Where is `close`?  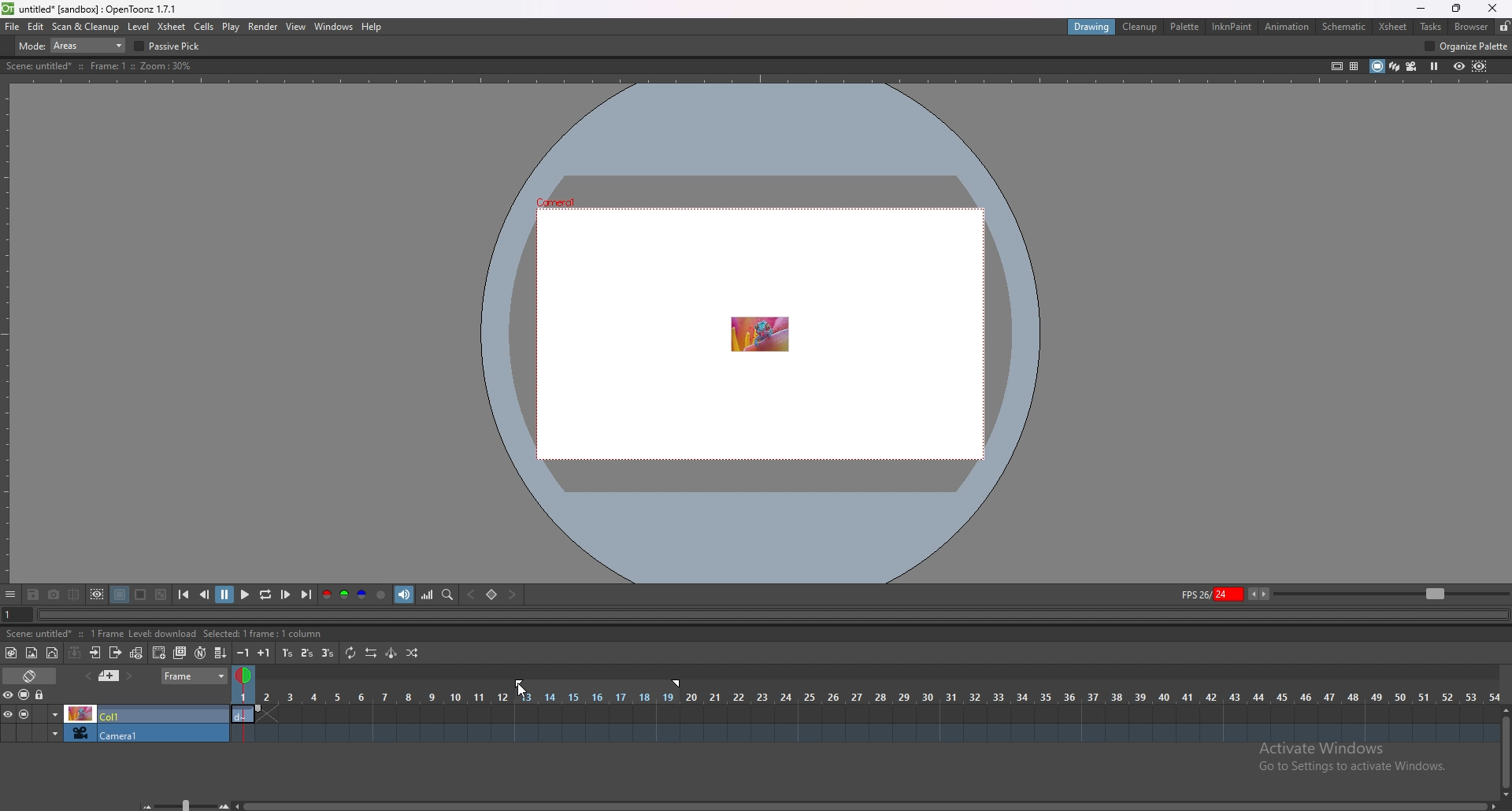 close is located at coordinates (1493, 8).